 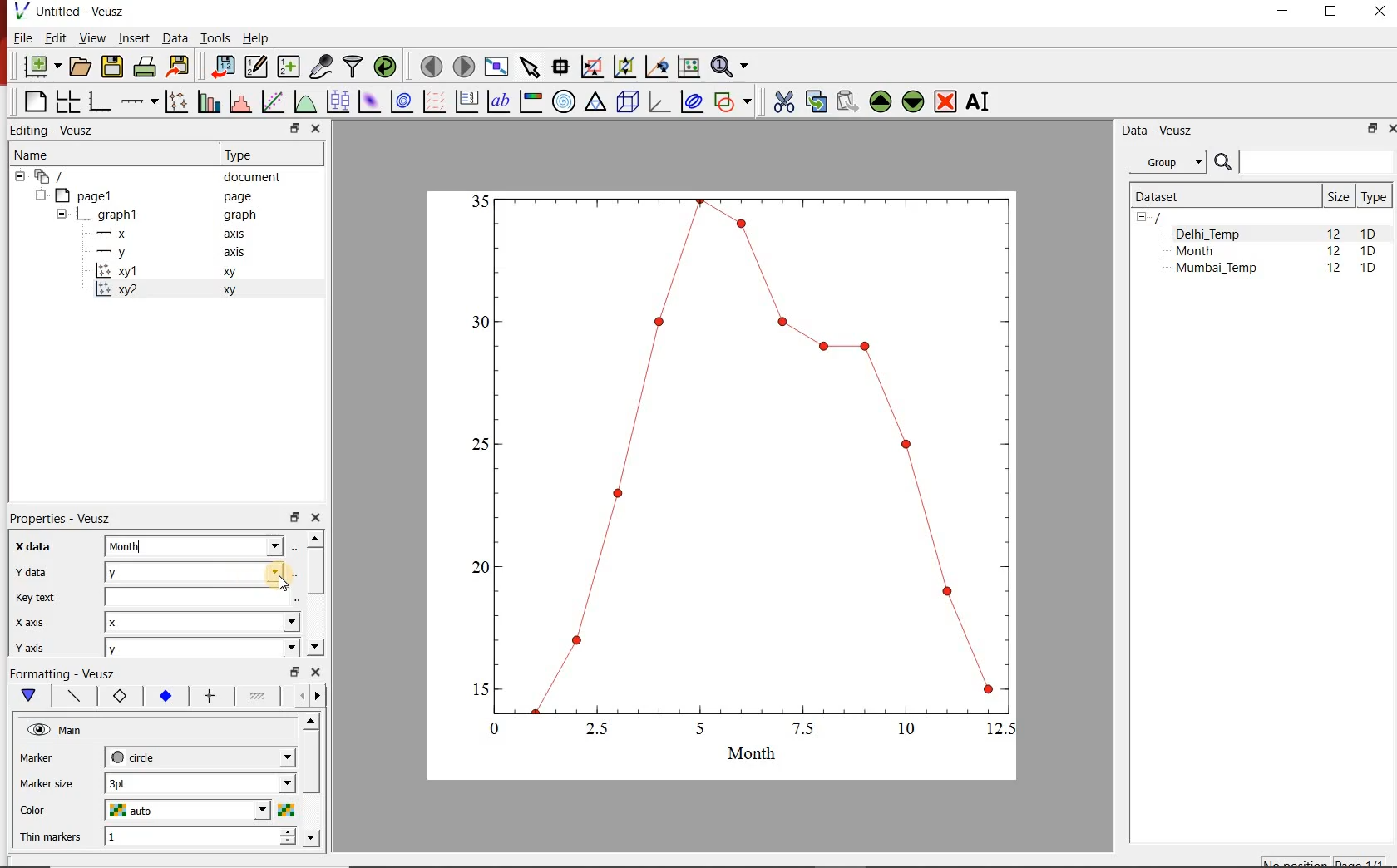 I want to click on edit and enter new datasets, so click(x=255, y=67).